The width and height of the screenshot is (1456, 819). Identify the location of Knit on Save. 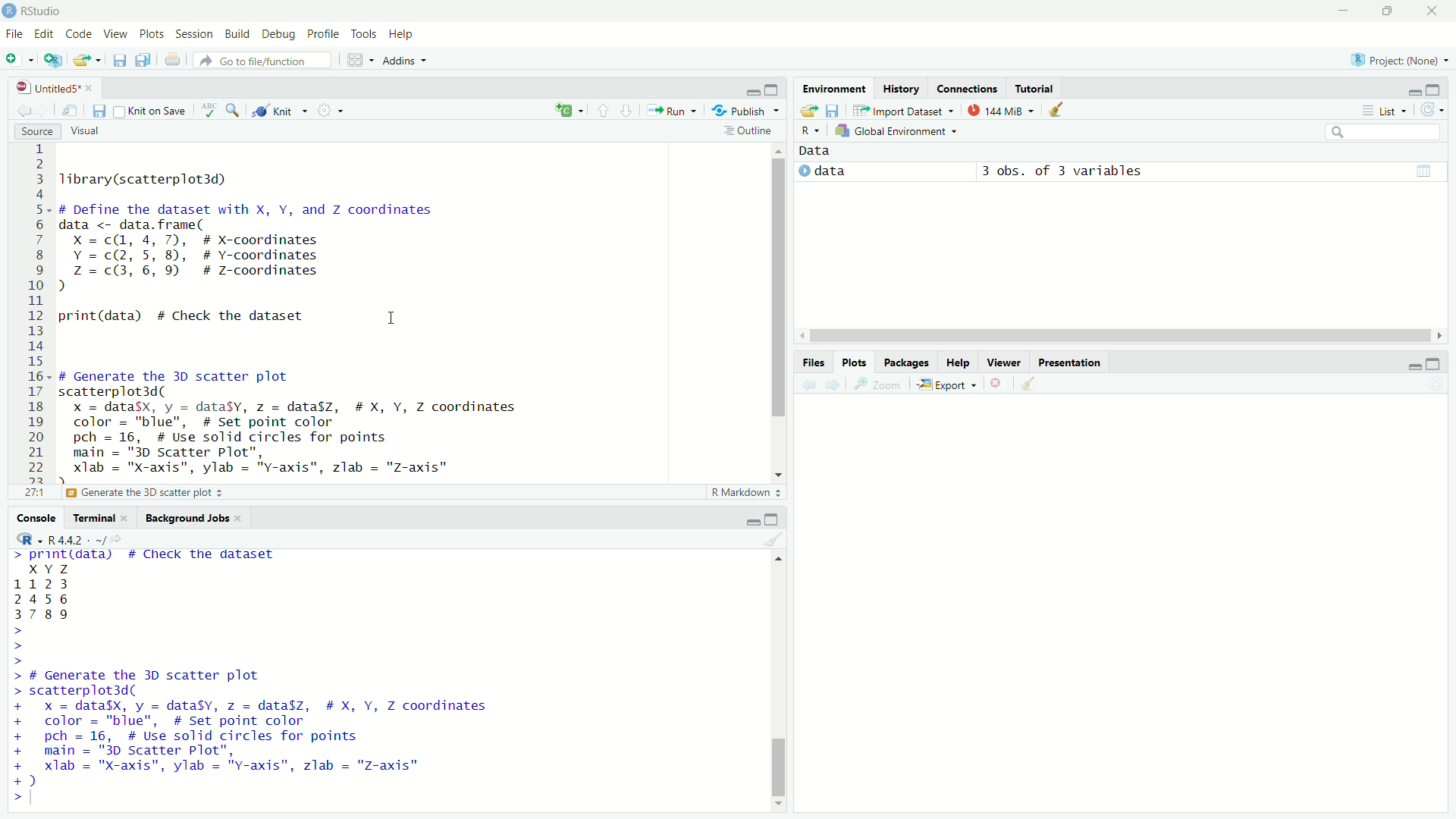
(152, 111).